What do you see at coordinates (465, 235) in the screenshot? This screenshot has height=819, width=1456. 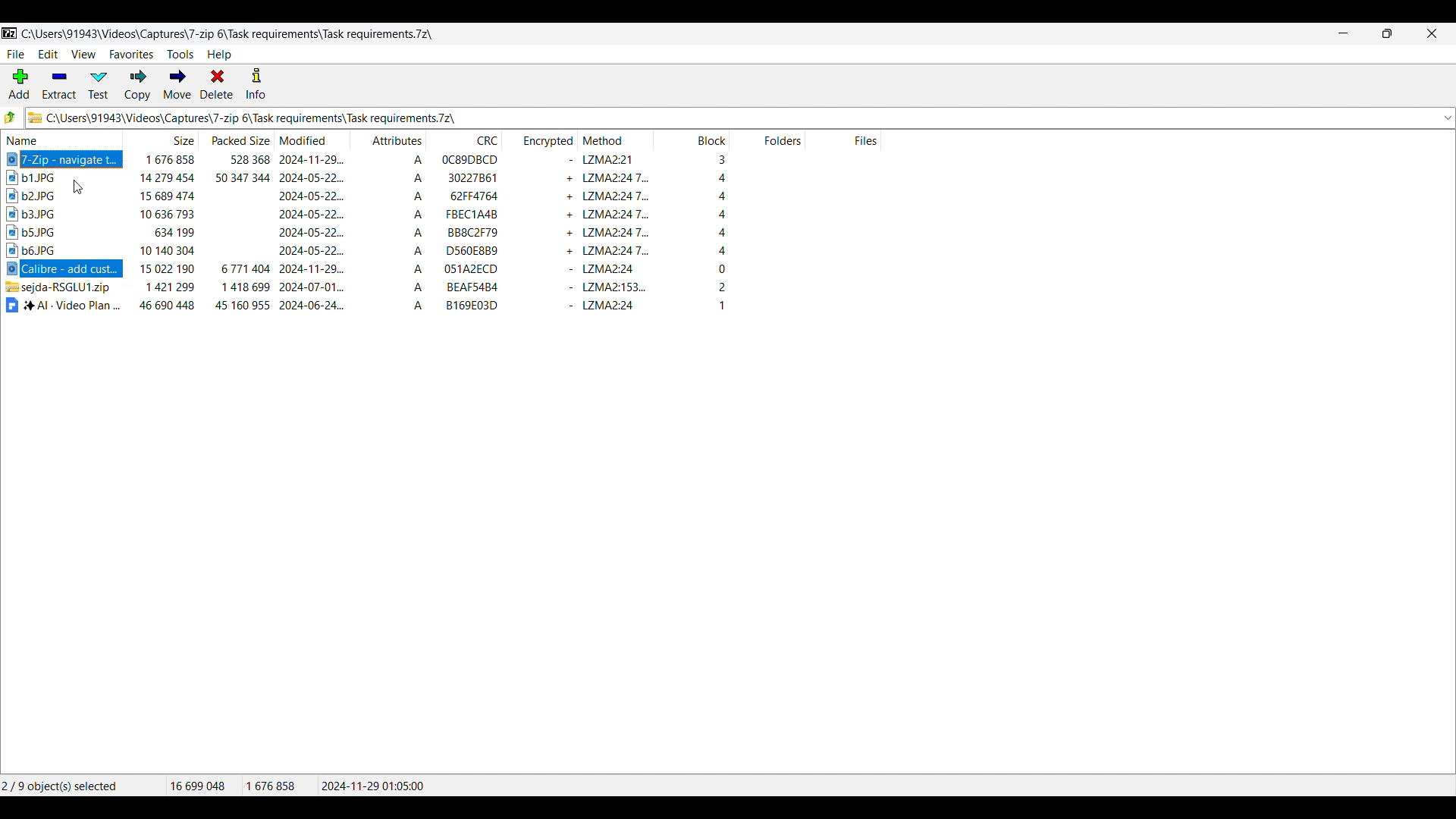 I see `CRC` at bounding box center [465, 235].